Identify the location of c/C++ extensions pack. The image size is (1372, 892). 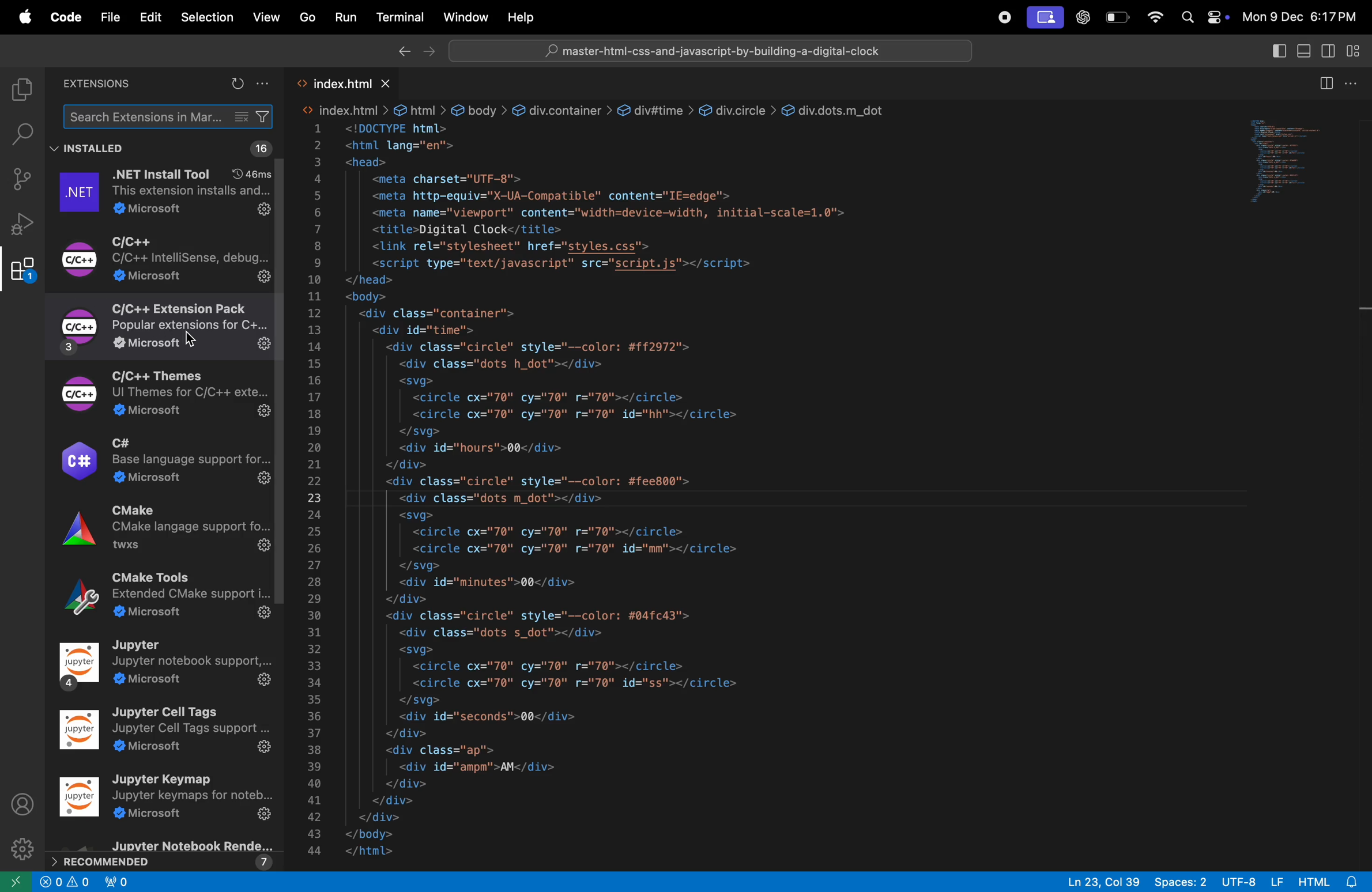
(166, 327).